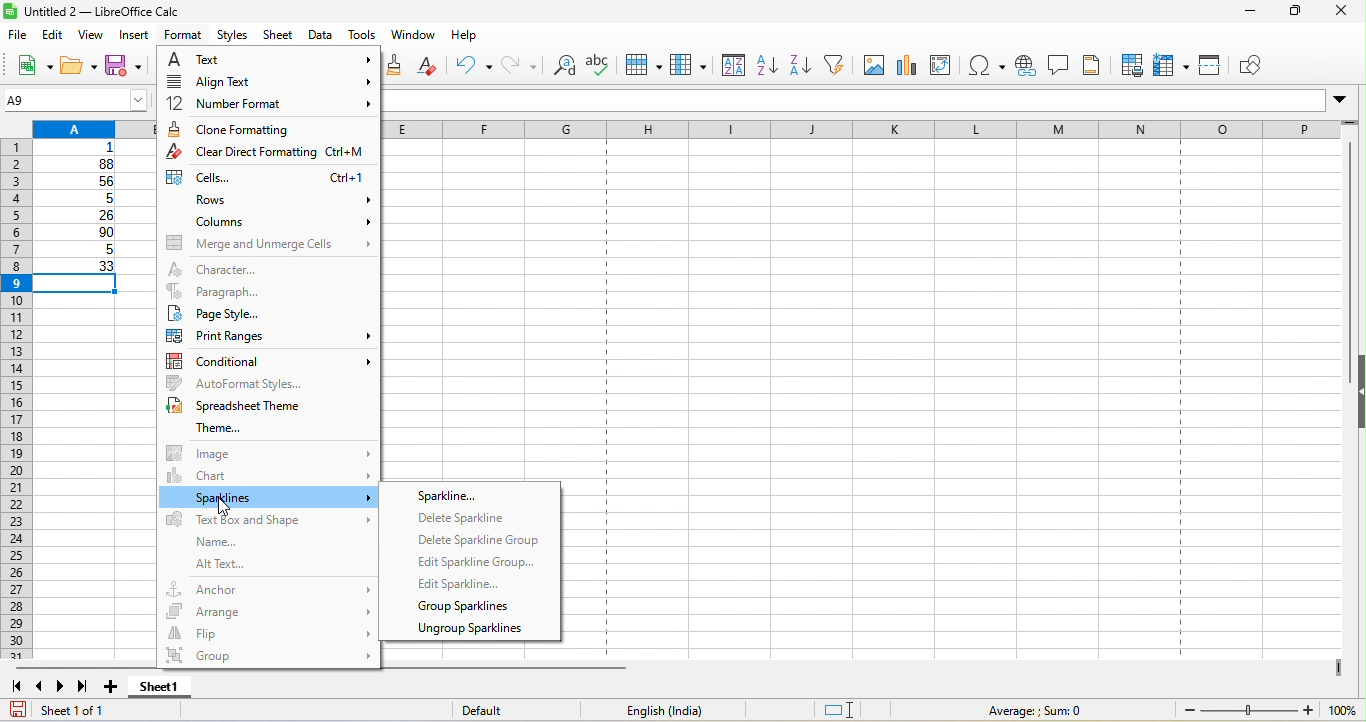 This screenshot has height=722, width=1366. I want to click on clone formatting, so click(399, 65).